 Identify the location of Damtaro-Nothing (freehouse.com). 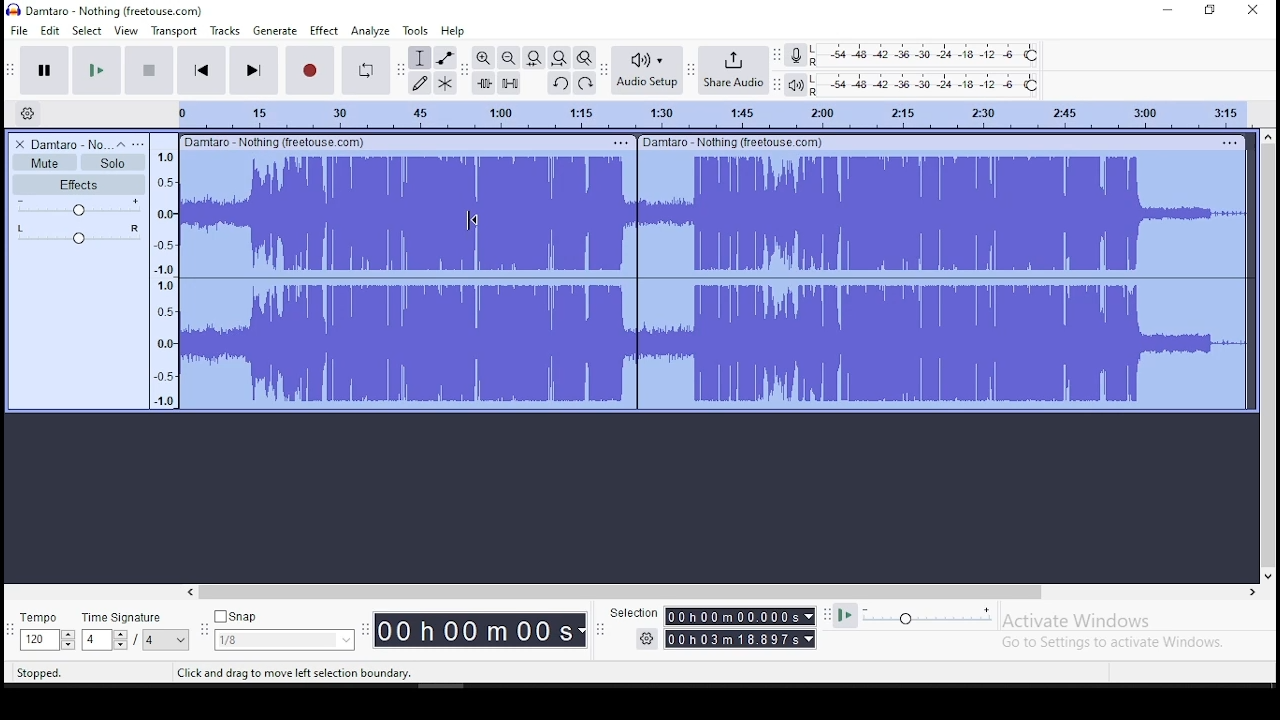
(273, 141).